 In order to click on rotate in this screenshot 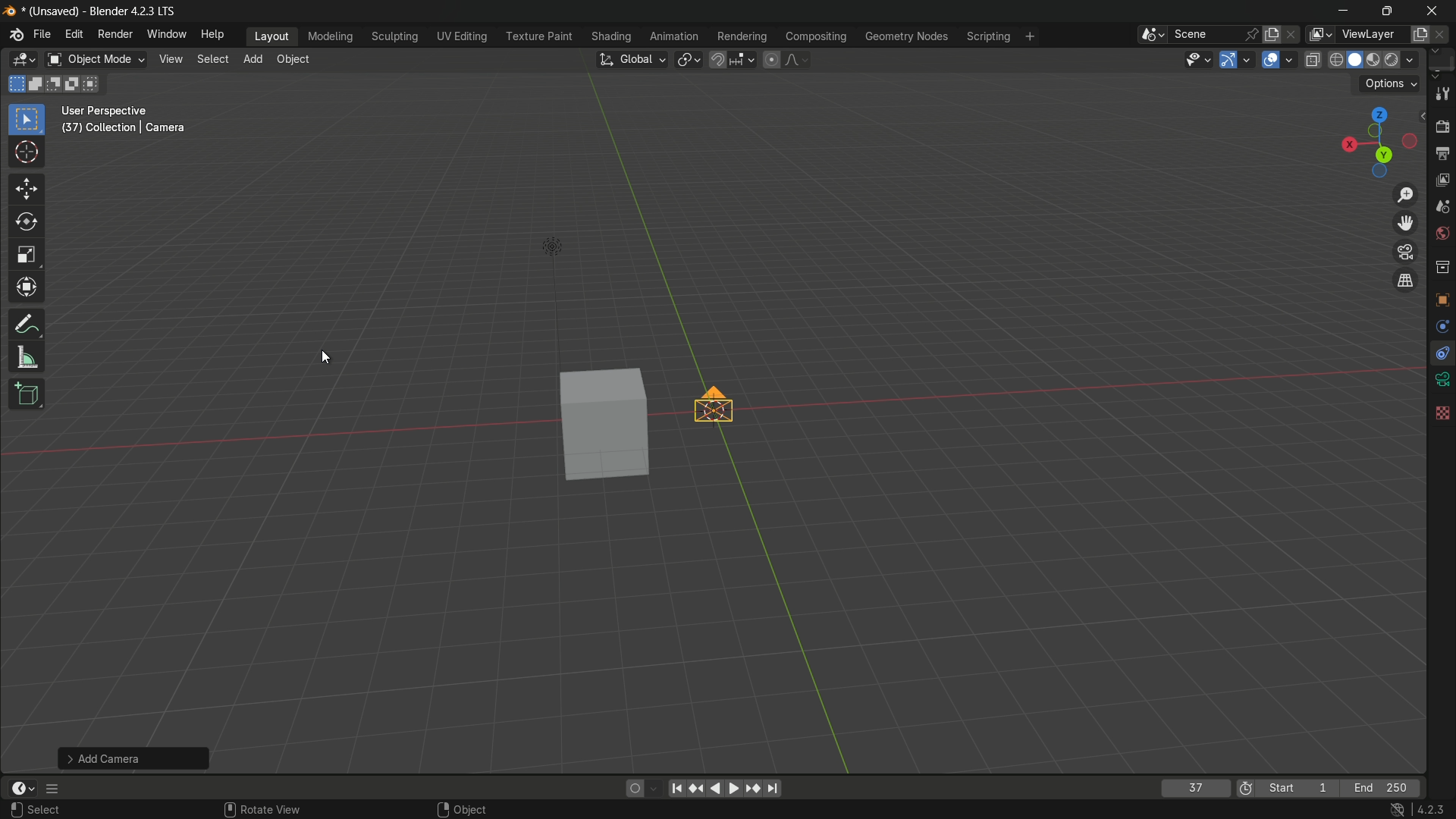, I will do `click(27, 223)`.